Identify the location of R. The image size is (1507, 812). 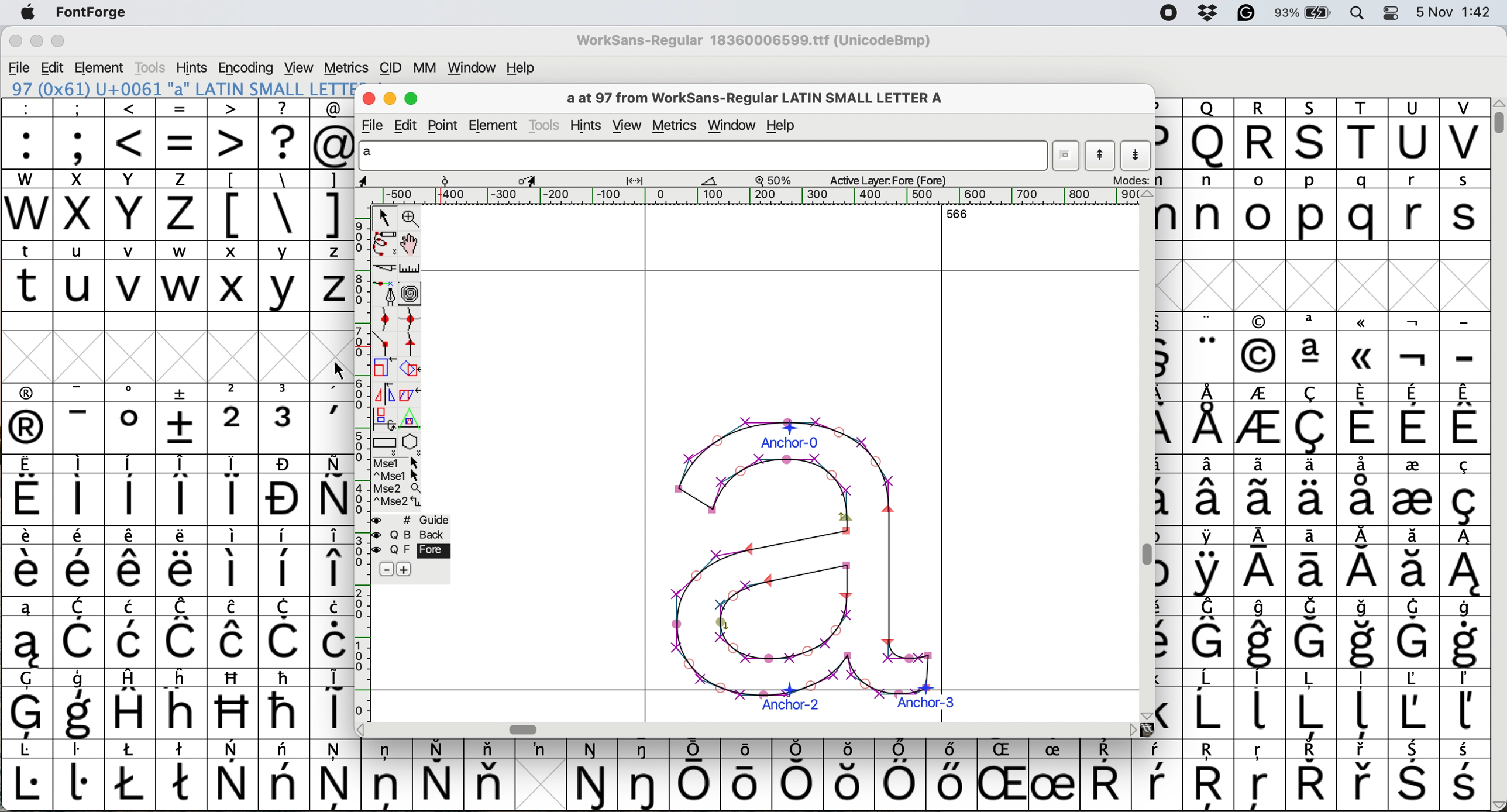
(1260, 134).